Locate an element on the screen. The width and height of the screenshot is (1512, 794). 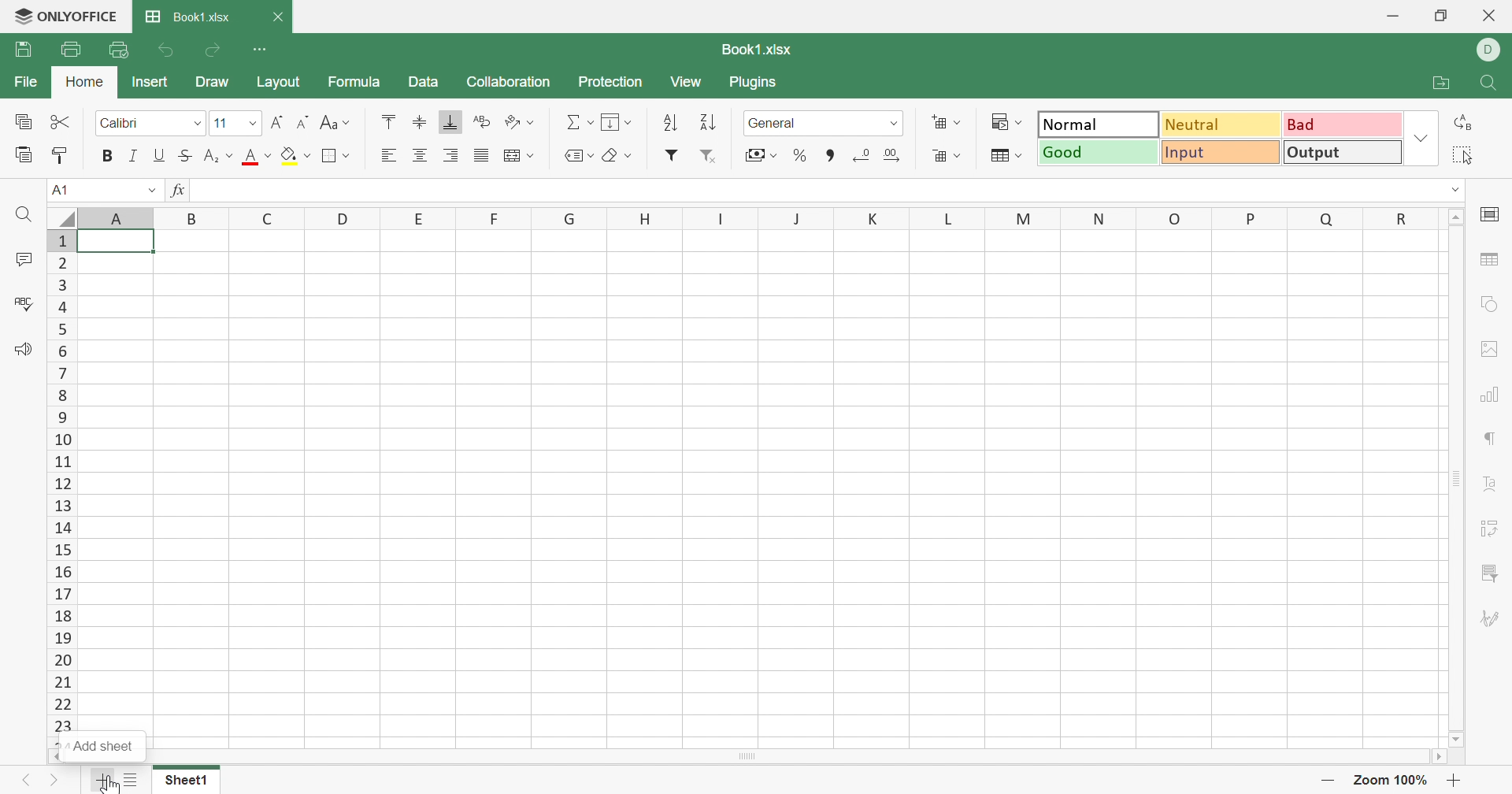
Remove Filter is located at coordinates (707, 155).